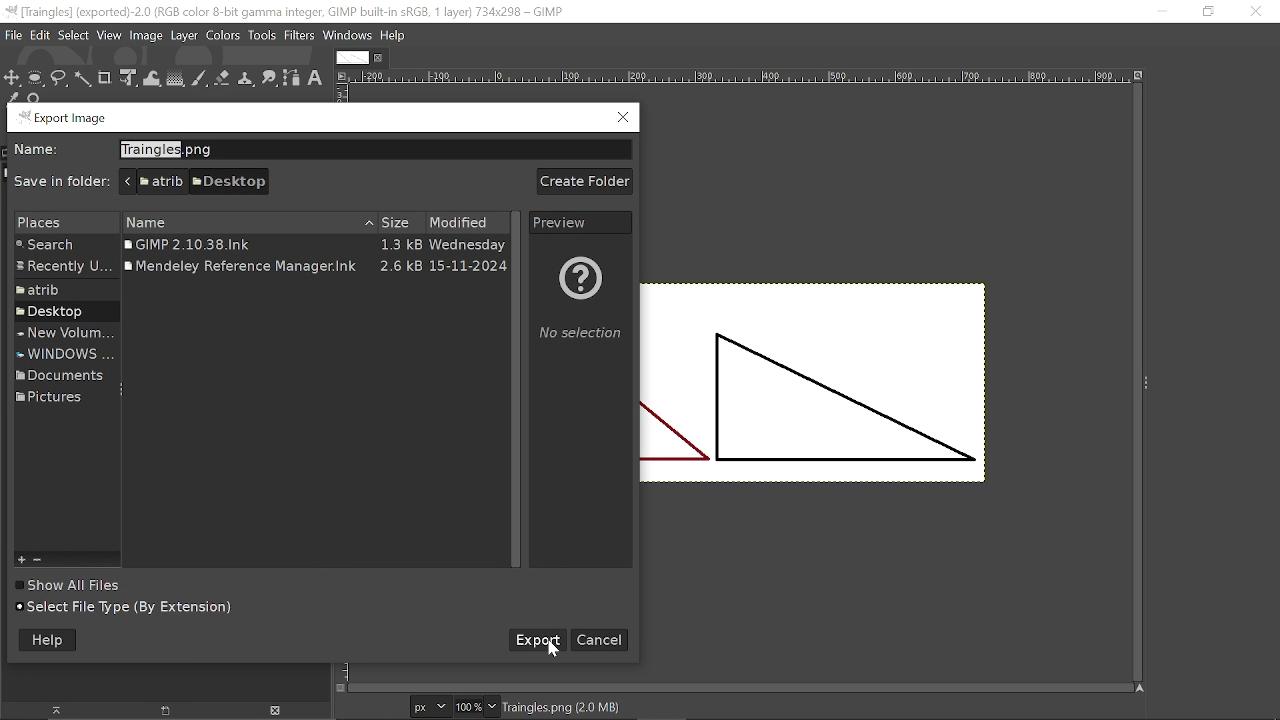 The image size is (1280, 720). What do you see at coordinates (556, 650) in the screenshot?
I see `Cursor` at bounding box center [556, 650].